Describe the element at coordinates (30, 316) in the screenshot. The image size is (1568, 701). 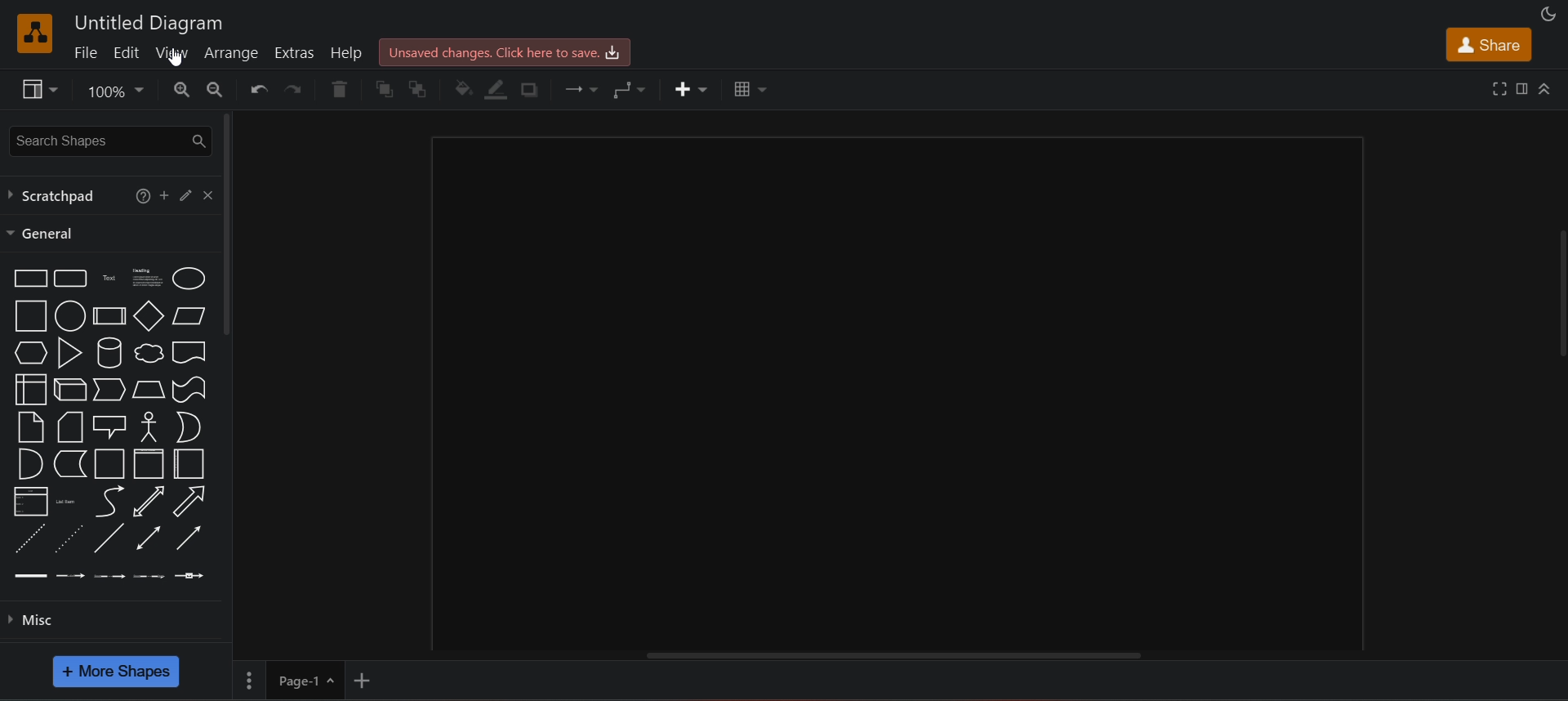
I see `square` at that location.